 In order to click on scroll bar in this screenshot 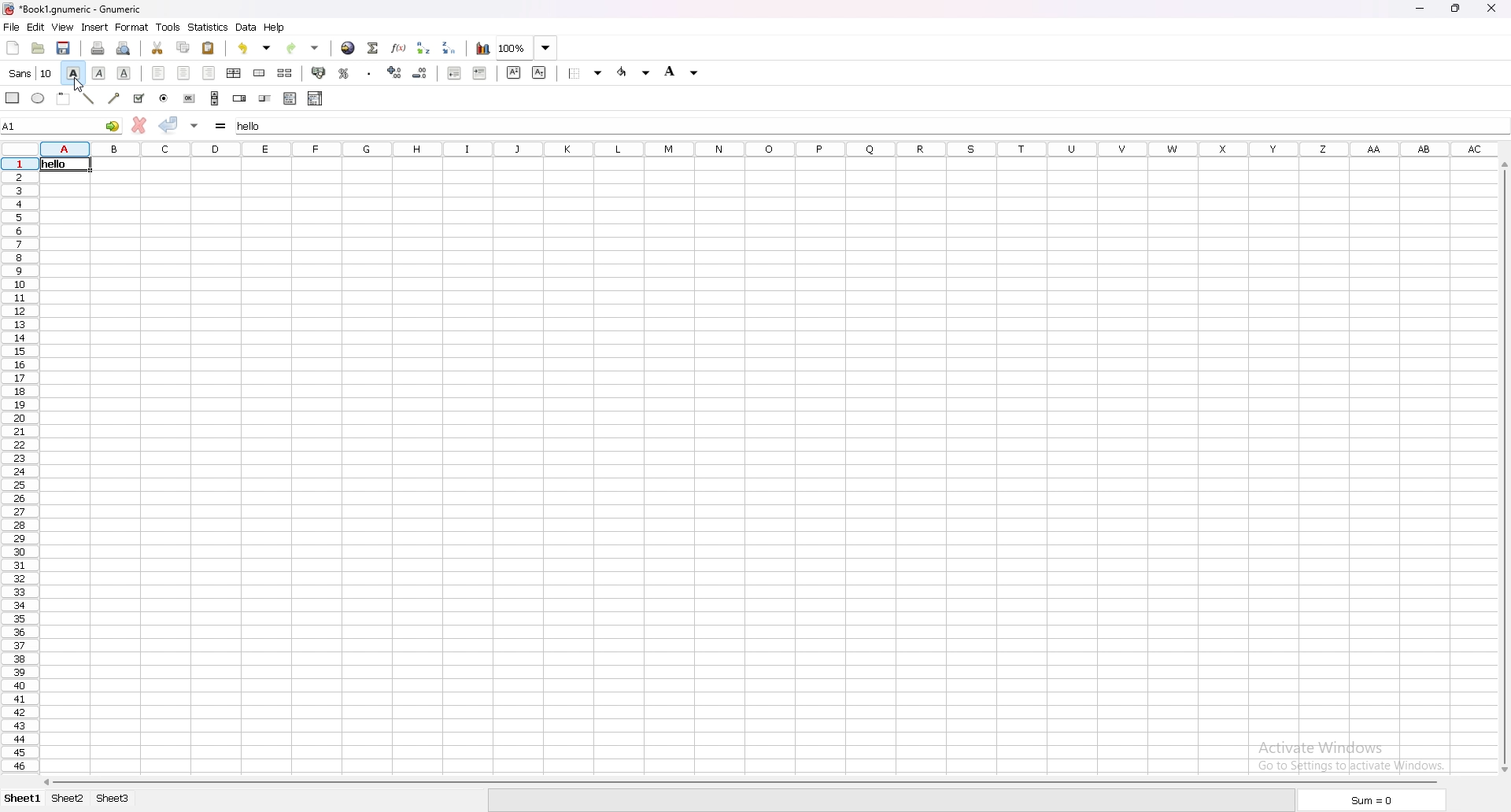, I will do `click(743, 781)`.